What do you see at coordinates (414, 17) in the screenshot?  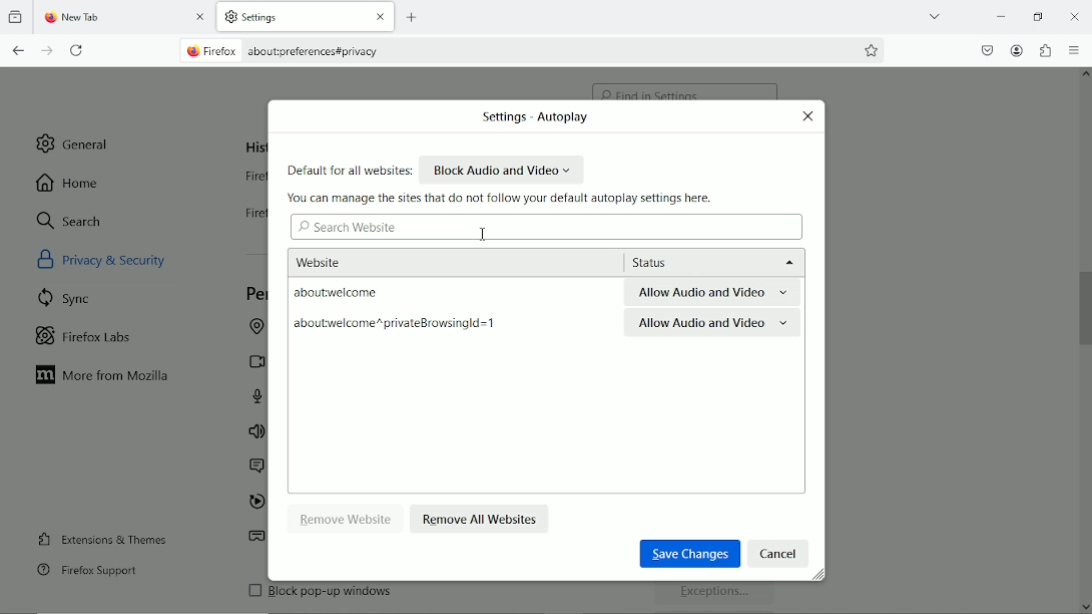 I see `new tab` at bounding box center [414, 17].